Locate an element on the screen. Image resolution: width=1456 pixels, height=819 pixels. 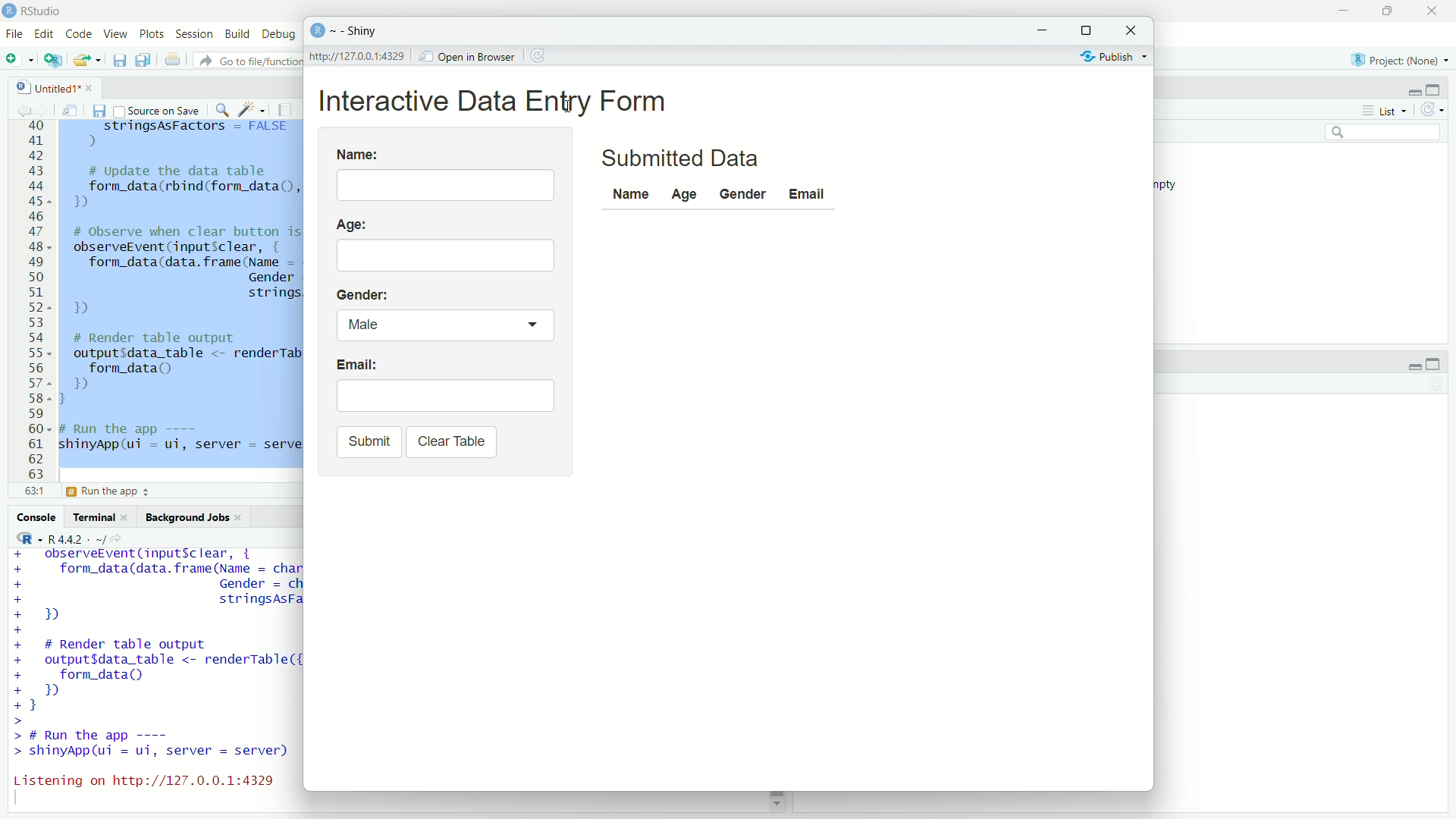
code to render table output is located at coordinates (181, 369).